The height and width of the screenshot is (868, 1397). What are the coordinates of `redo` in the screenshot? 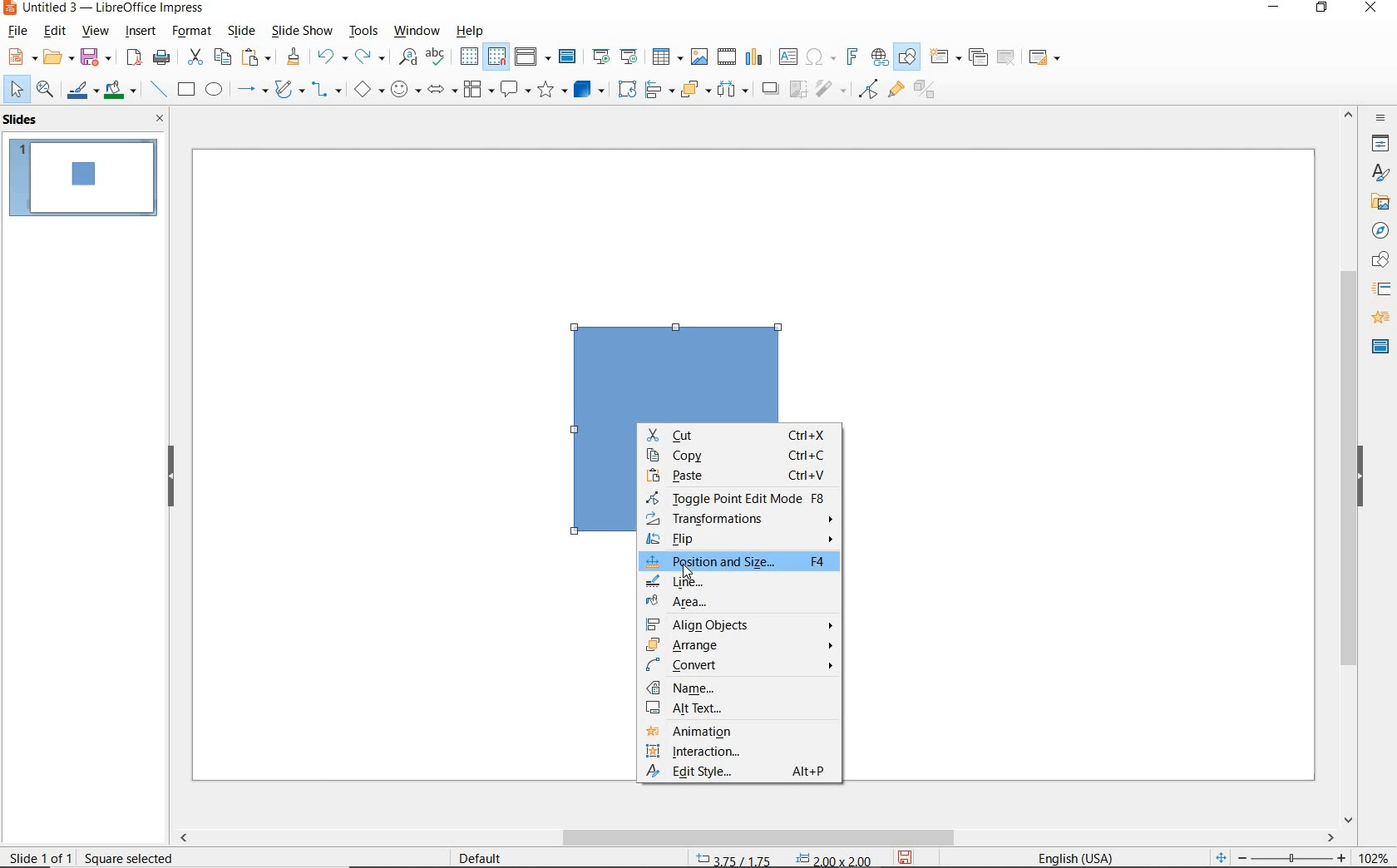 It's located at (370, 58).